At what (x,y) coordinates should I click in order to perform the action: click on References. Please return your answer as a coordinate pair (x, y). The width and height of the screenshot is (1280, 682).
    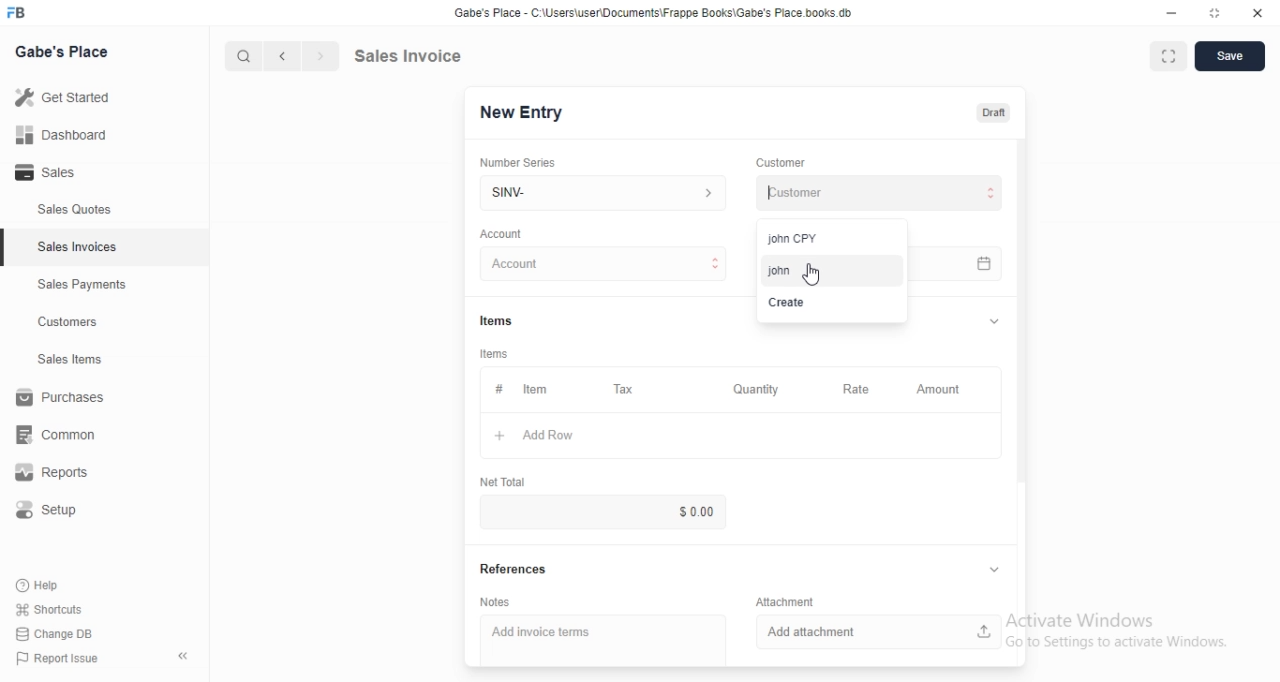
    Looking at the image, I should click on (516, 571).